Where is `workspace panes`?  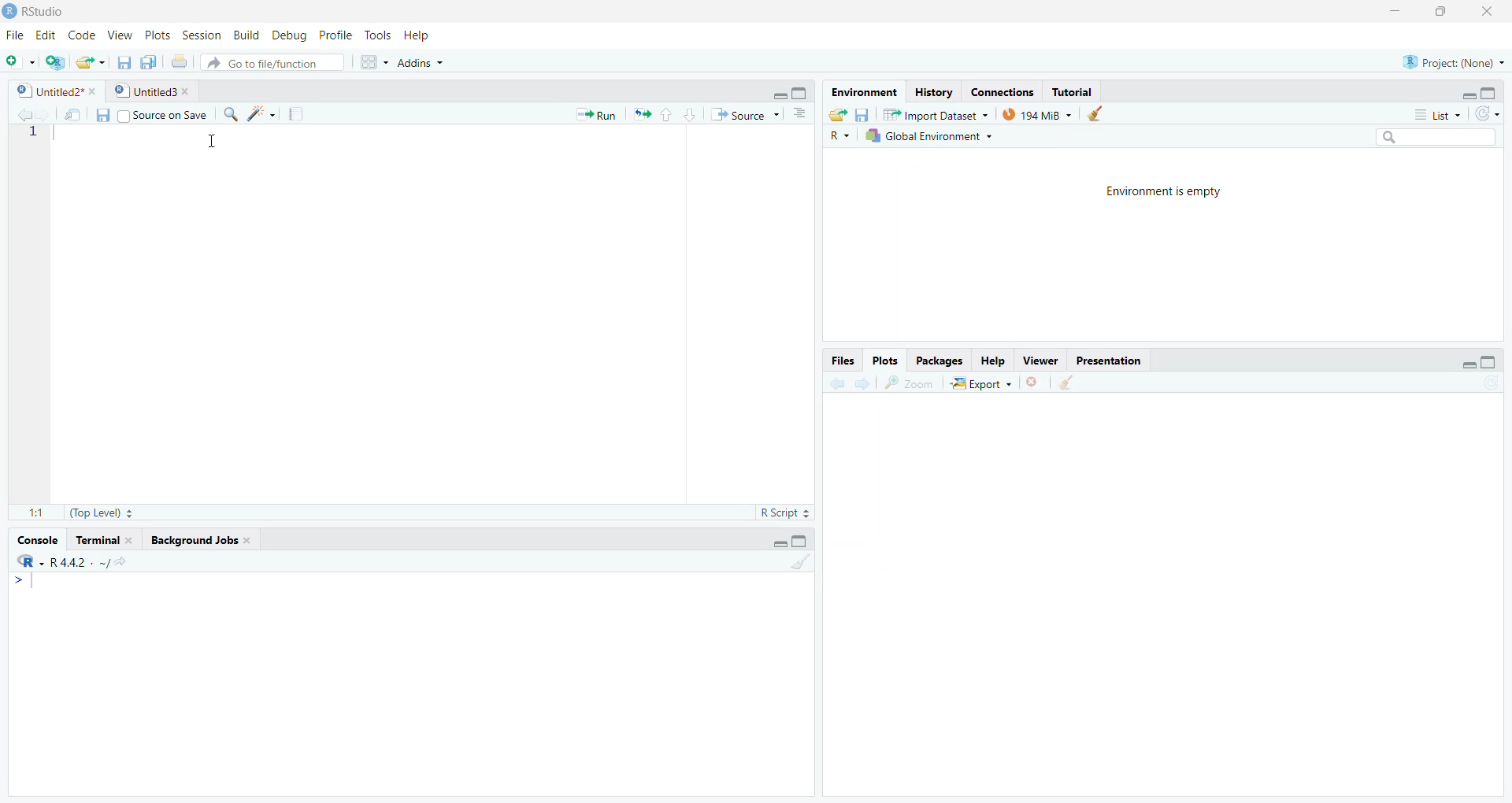
workspace panes is located at coordinates (376, 61).